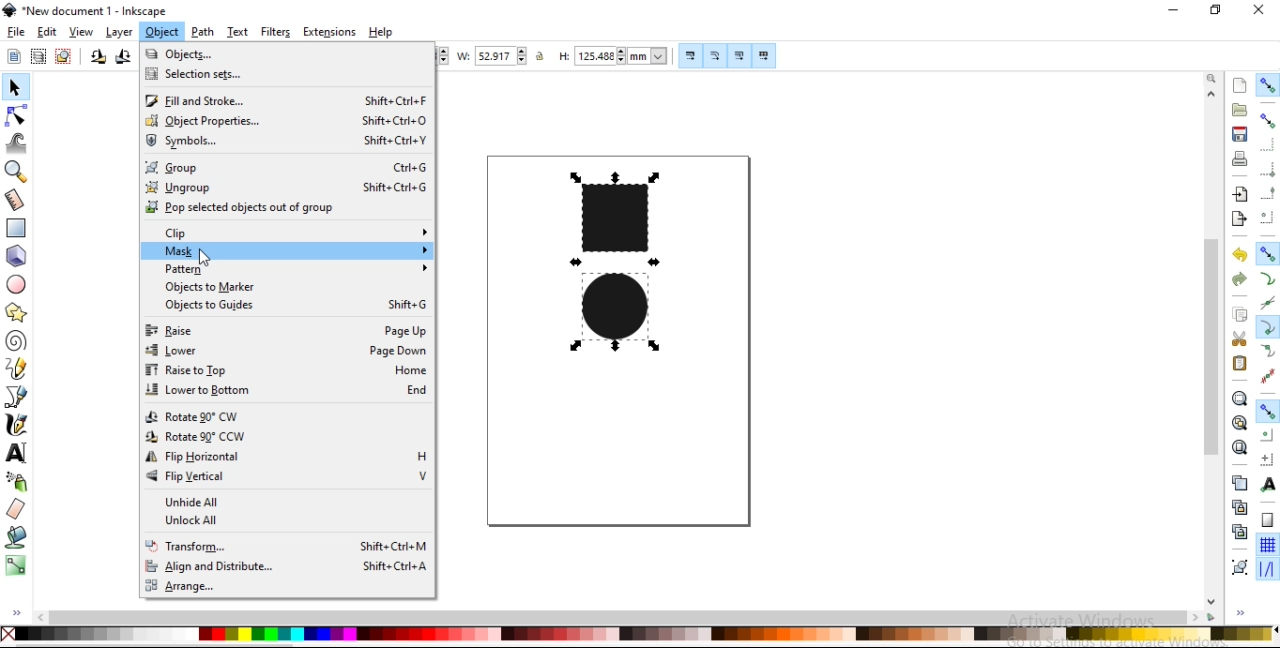 The height and width of the screenshot is (648, 1280). Describe the element at coordinates (1267, 119) in the screenshot. I see `snap bounding boxes` at that location.